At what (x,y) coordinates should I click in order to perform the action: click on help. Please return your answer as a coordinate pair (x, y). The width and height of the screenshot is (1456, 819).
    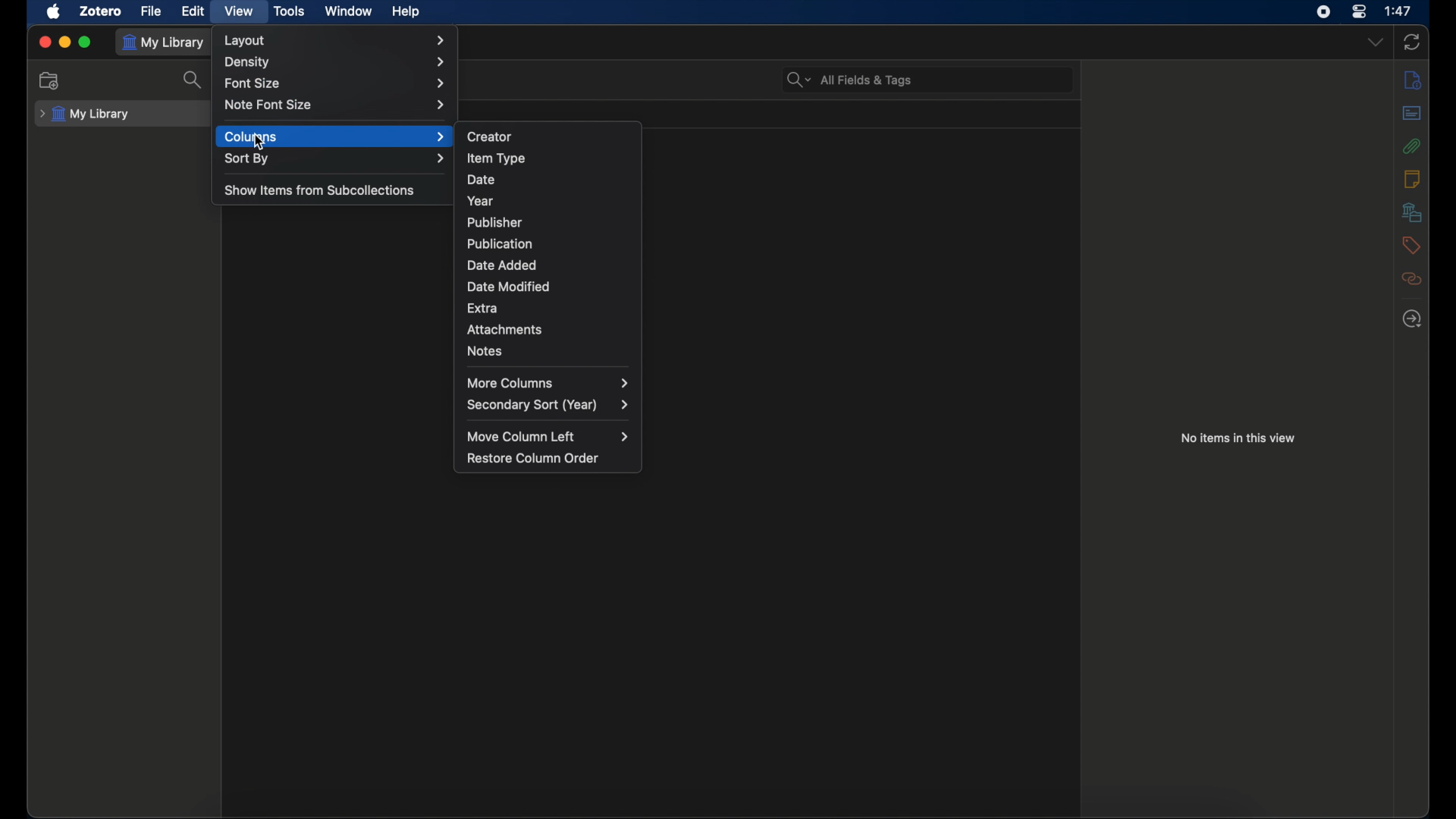
    Looking at the image, I should click on (405, 12).